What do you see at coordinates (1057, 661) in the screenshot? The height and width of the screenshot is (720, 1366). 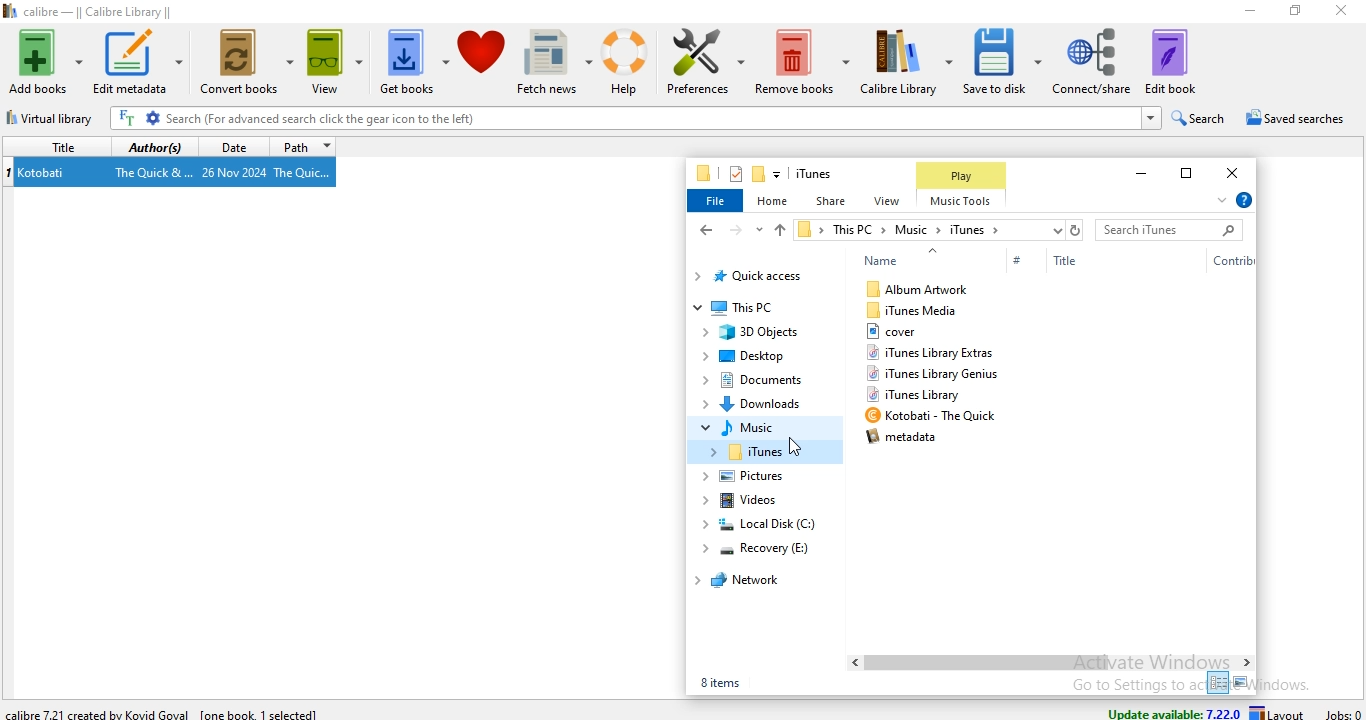 I see `Scroll Bar` at bounding box center [1057, 661].